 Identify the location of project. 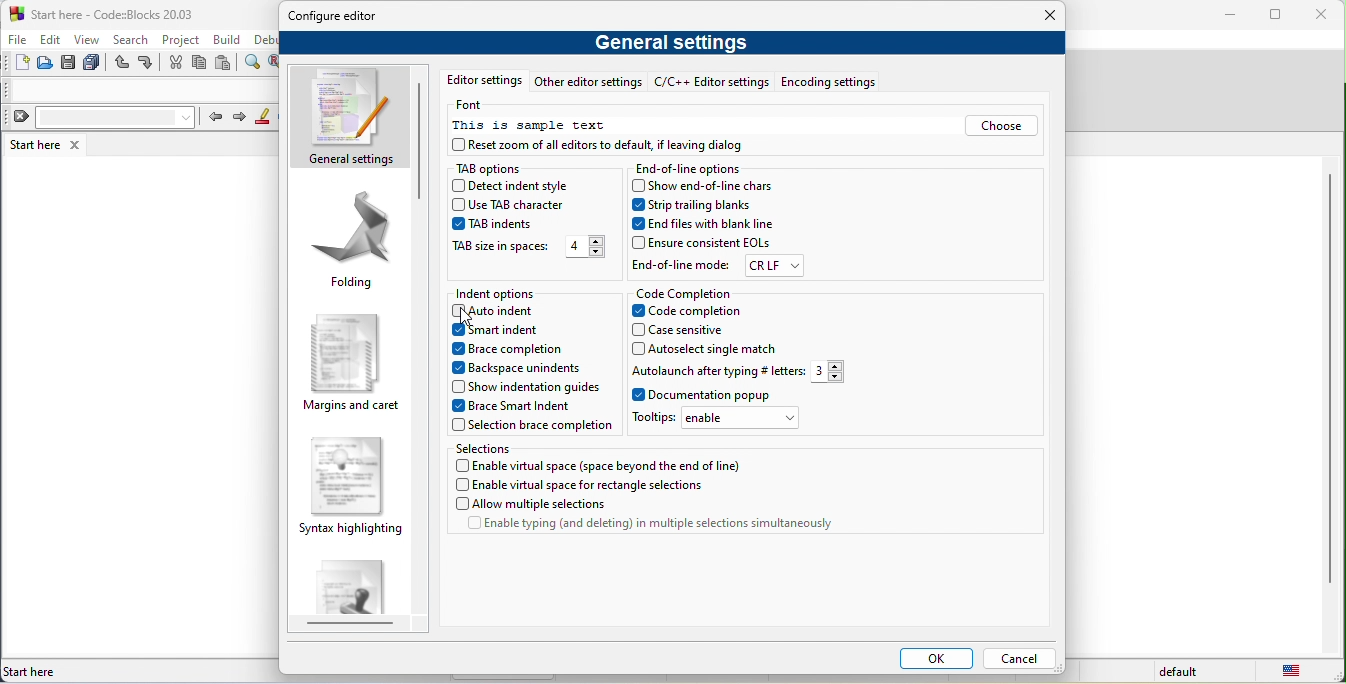
(182, 40).